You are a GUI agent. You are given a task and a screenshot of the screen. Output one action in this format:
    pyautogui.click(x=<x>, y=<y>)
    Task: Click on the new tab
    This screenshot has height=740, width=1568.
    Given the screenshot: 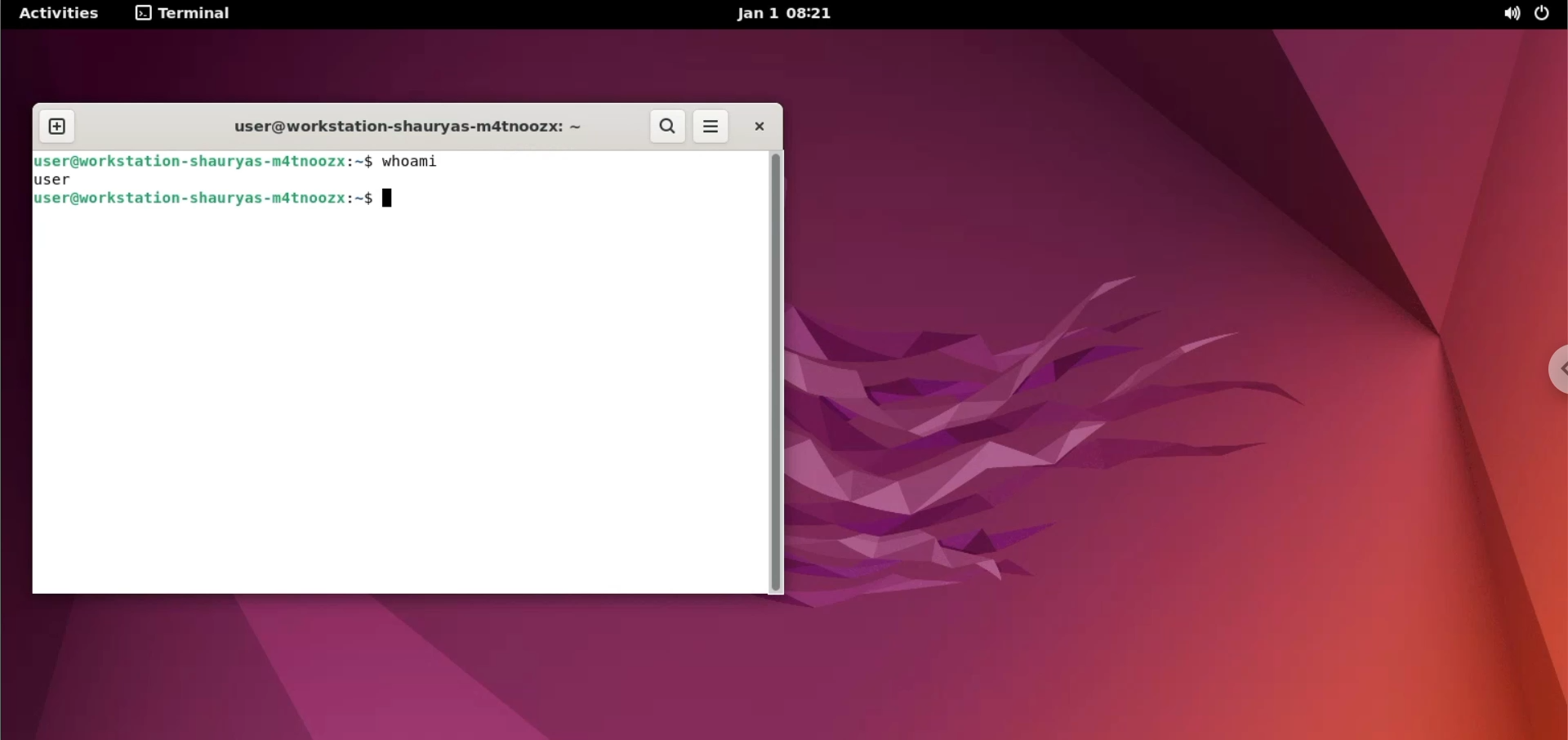 What is the action you would take?
    pyautogui.click(x=57, y=125)
    